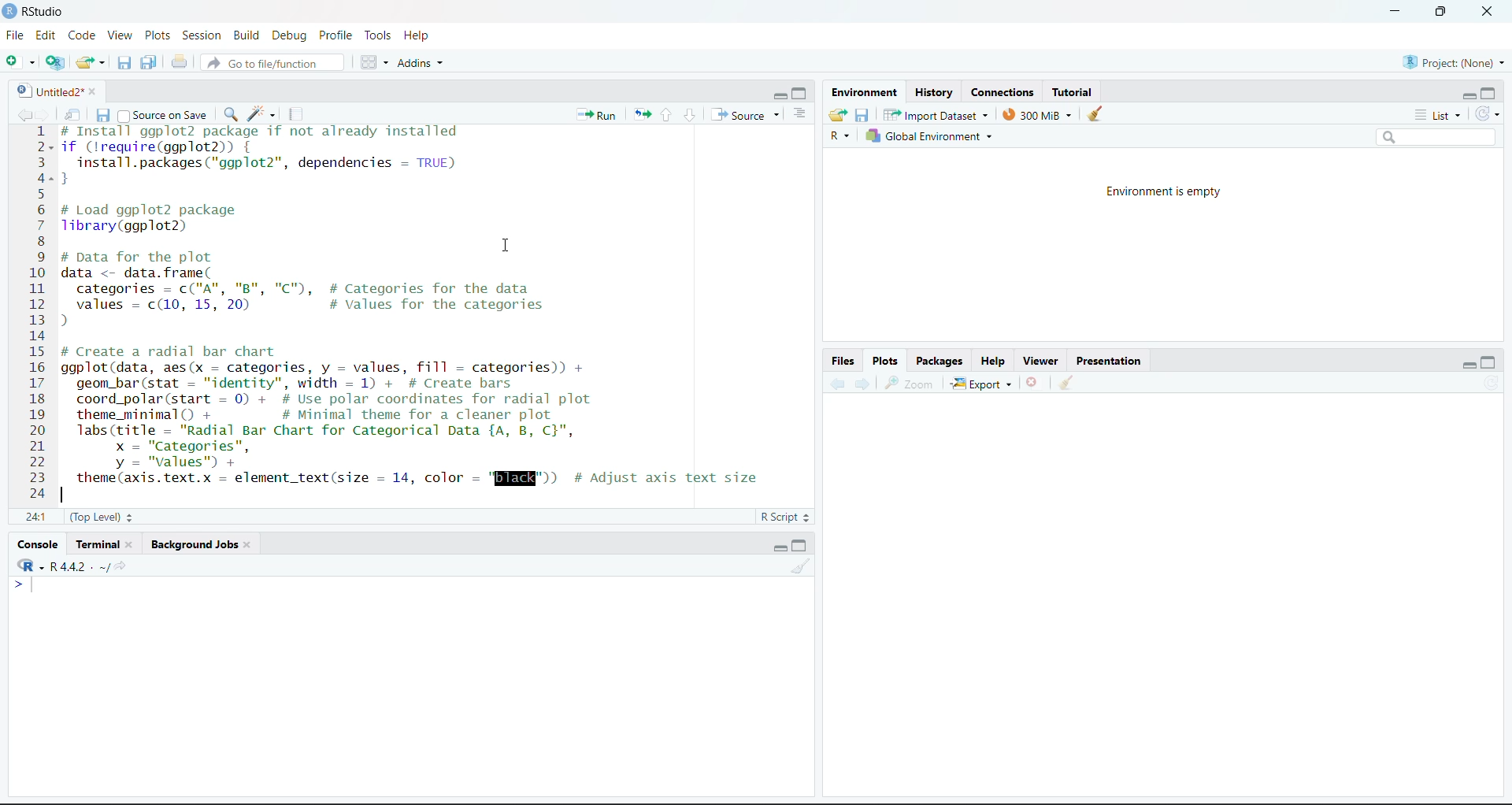  I want to click on Debug, so click(289, 35).